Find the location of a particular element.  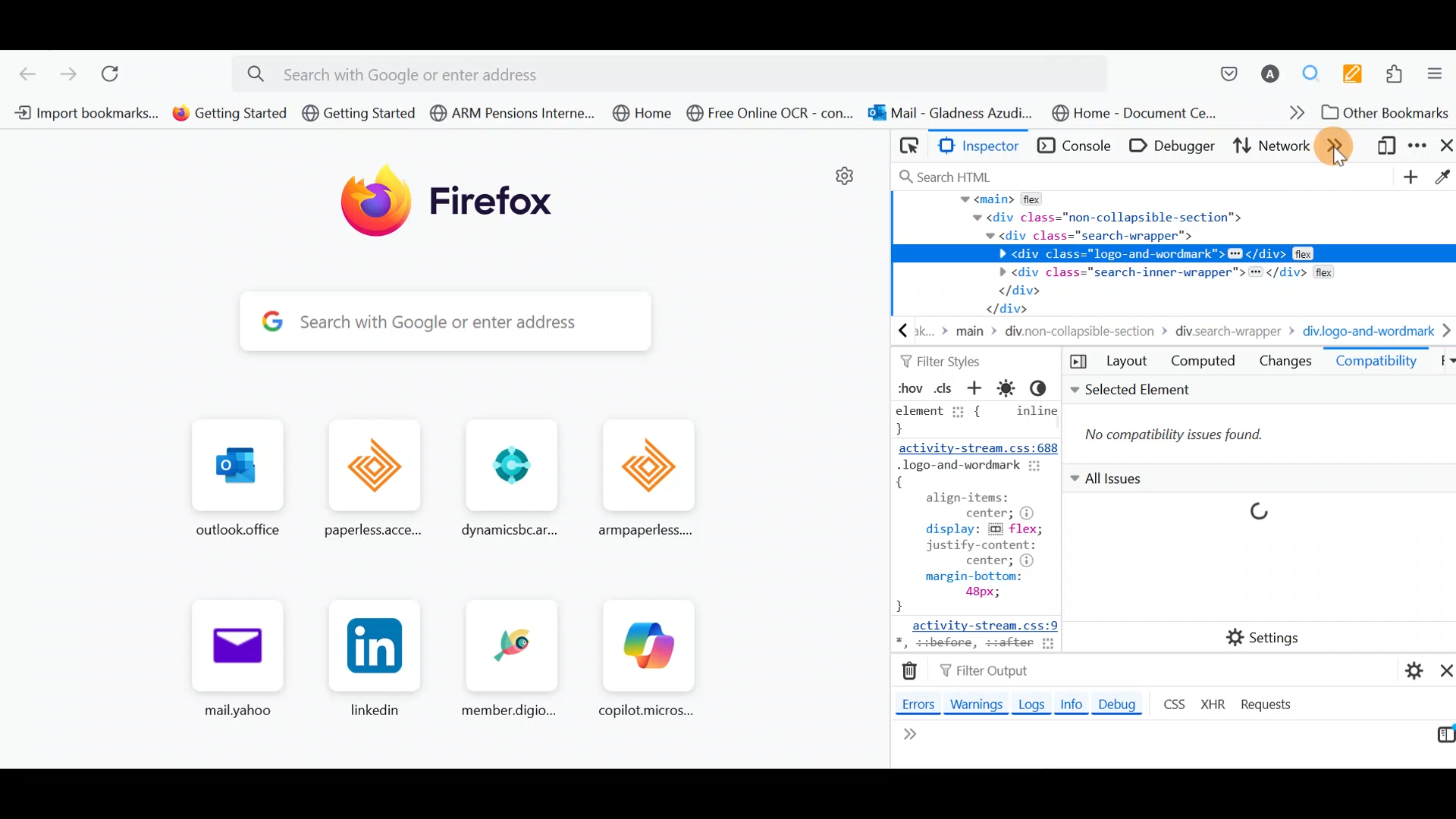

cursor is located at coordinates (1337, 158).